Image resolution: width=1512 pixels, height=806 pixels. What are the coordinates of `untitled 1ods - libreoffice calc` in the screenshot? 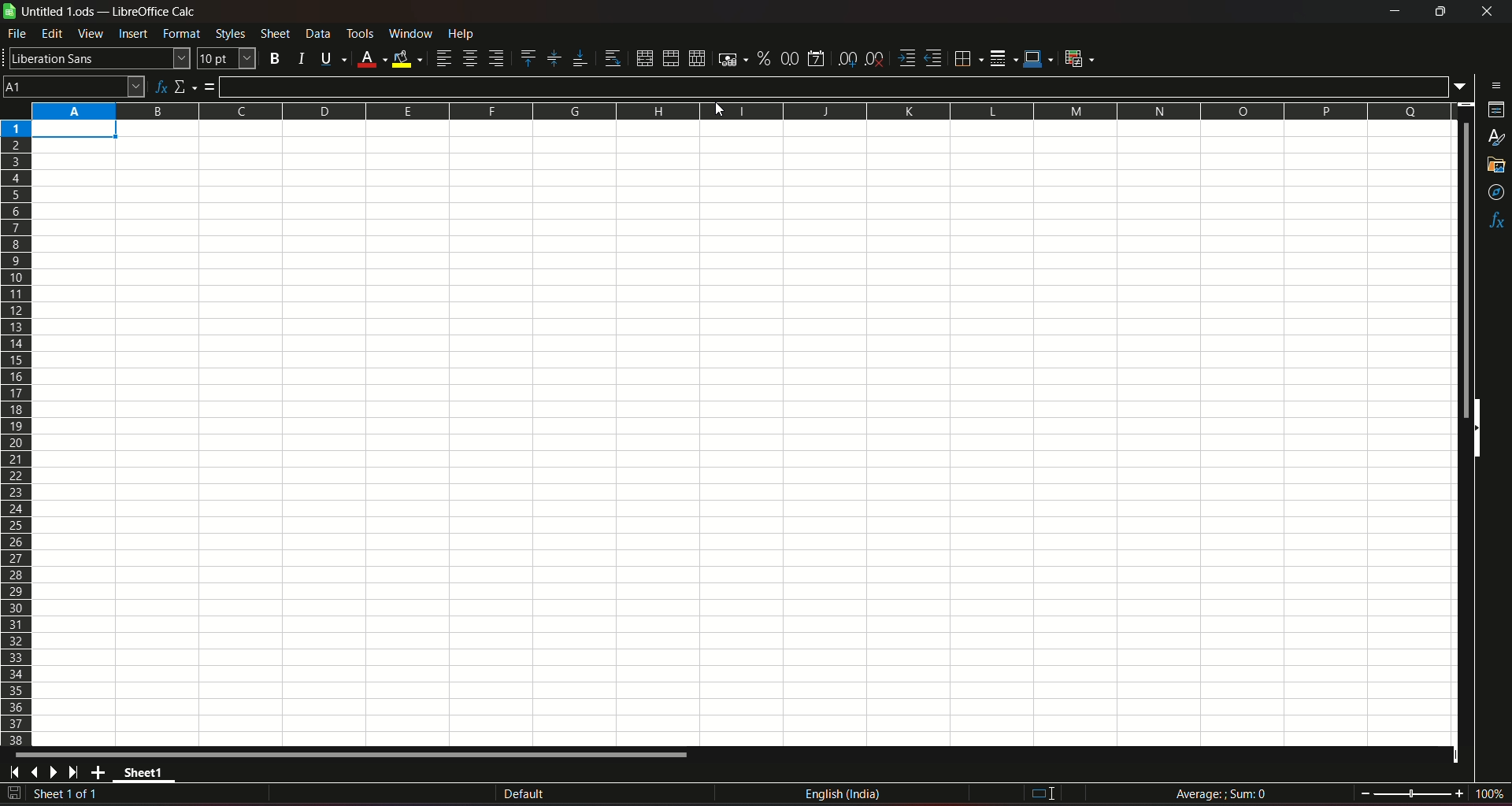 It's located at (113, 12).